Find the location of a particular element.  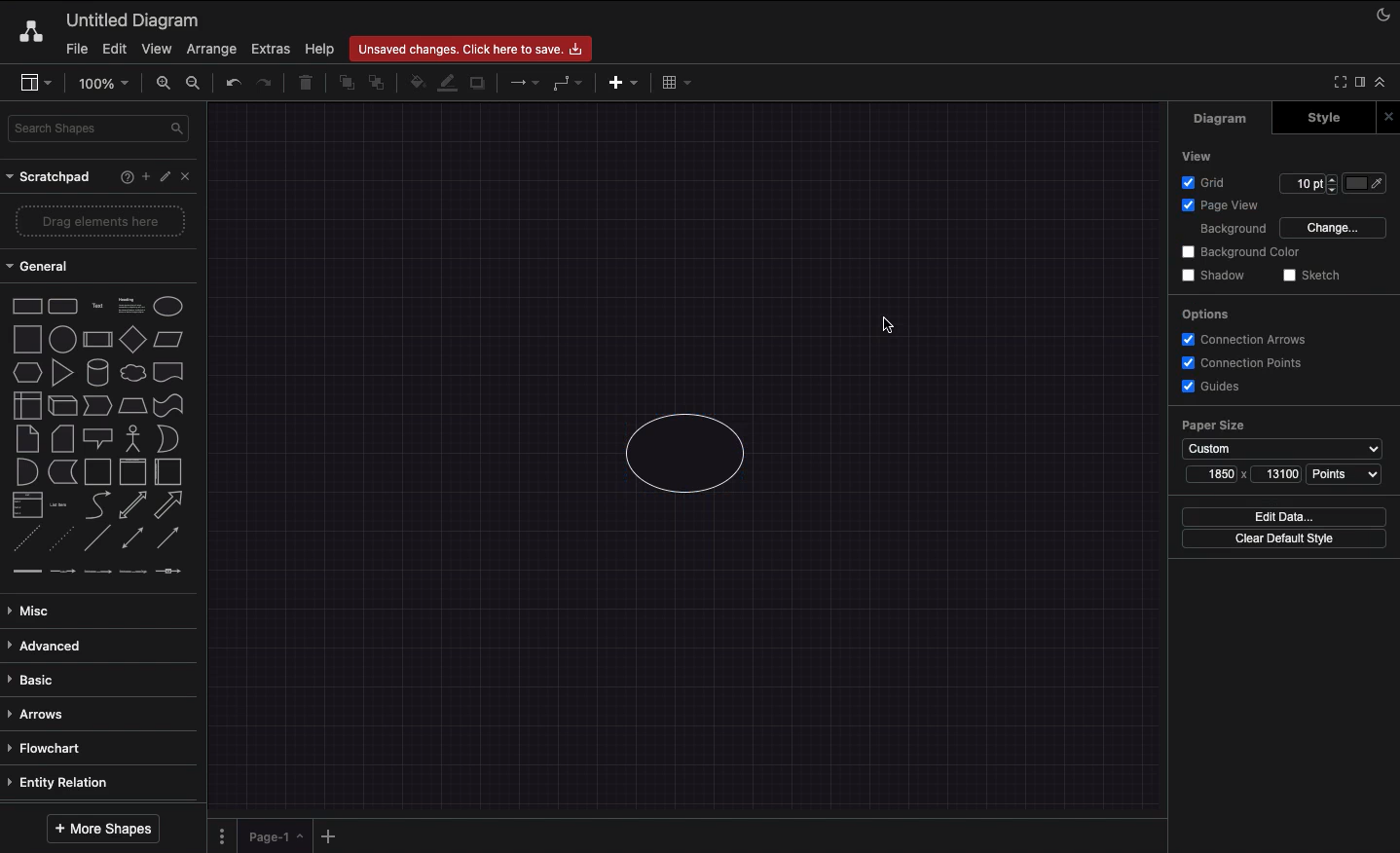

Close is located at coordinates (1391, 116).